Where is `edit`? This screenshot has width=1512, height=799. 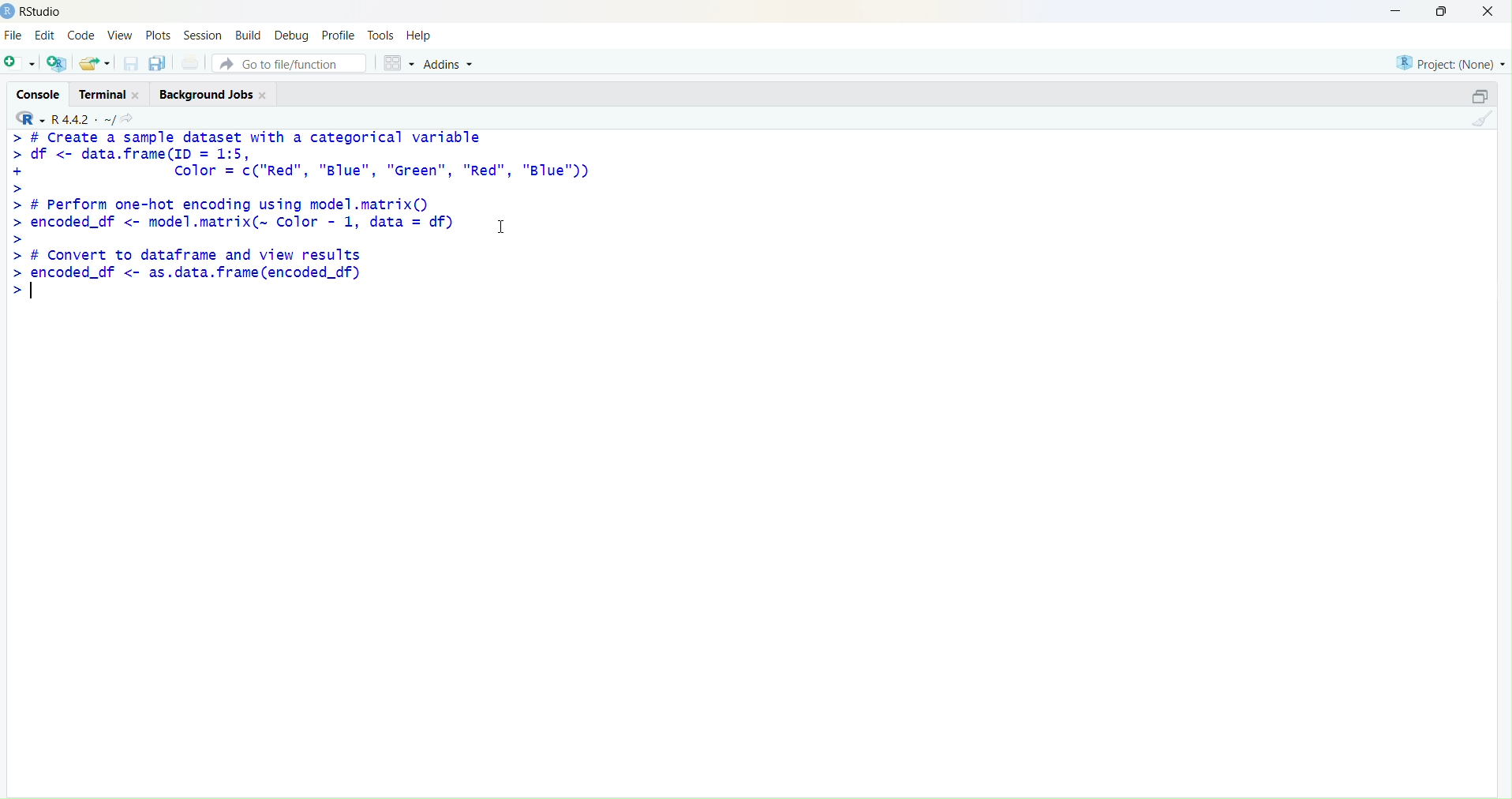
edit is located at coordinates (46, 35).